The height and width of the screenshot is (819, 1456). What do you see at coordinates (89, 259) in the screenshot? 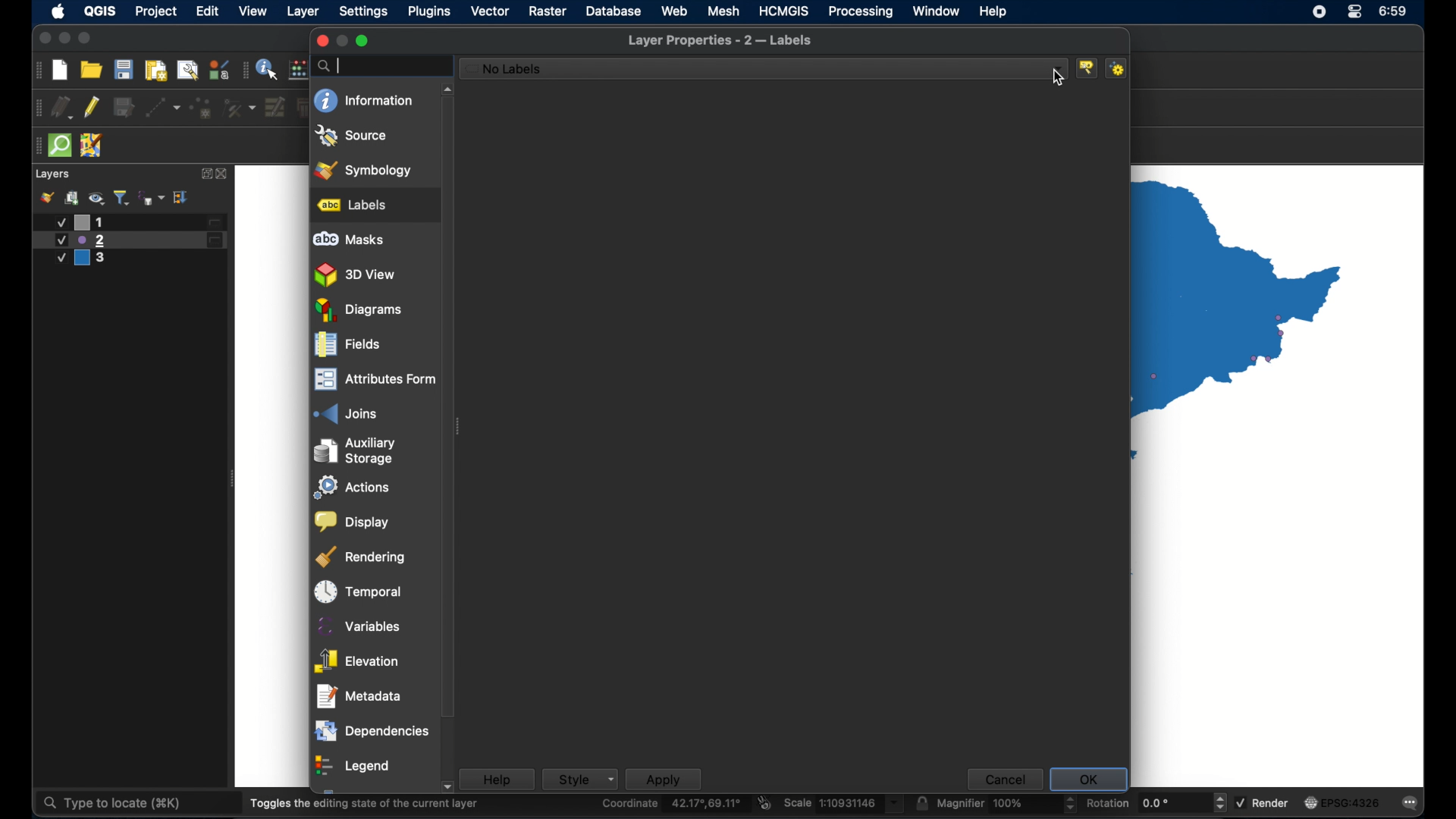
I see `layer  3` at bounding box center [89, 259].